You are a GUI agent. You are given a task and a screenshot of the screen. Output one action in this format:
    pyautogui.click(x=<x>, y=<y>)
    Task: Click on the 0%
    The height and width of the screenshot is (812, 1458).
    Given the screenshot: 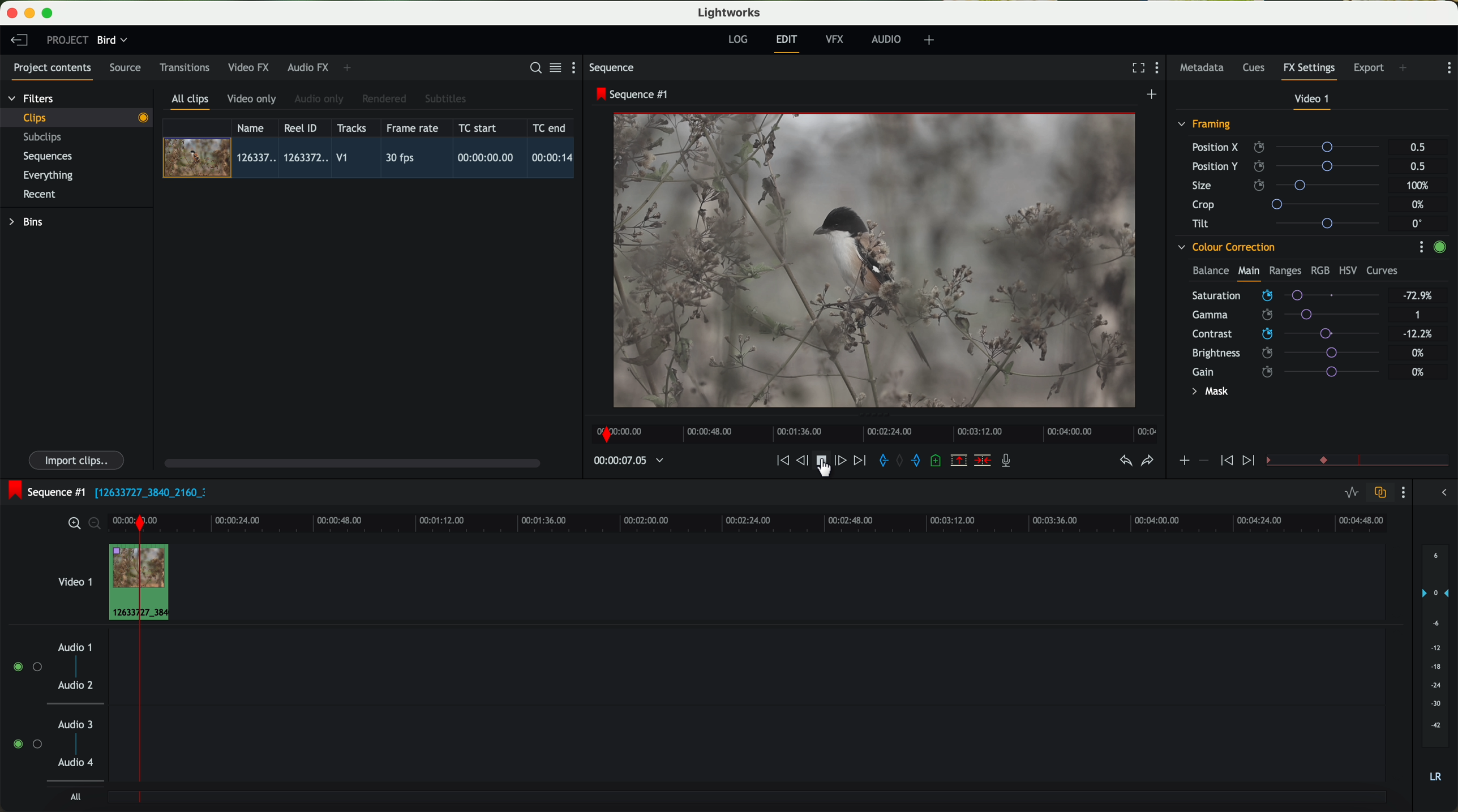 What is the action you would take?
    pyautogui.click(x=1420, y=205)
    